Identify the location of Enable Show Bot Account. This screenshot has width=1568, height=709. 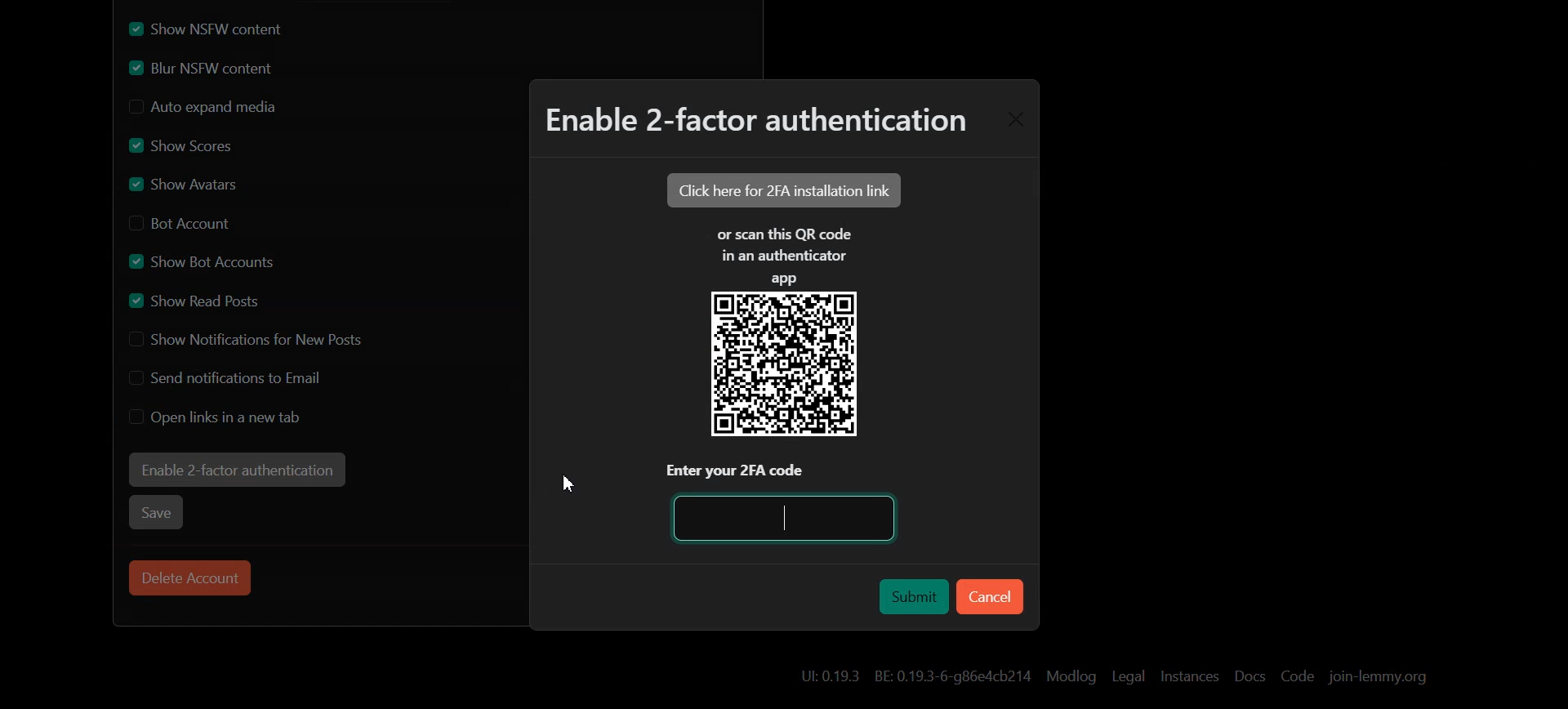
(204, 259).